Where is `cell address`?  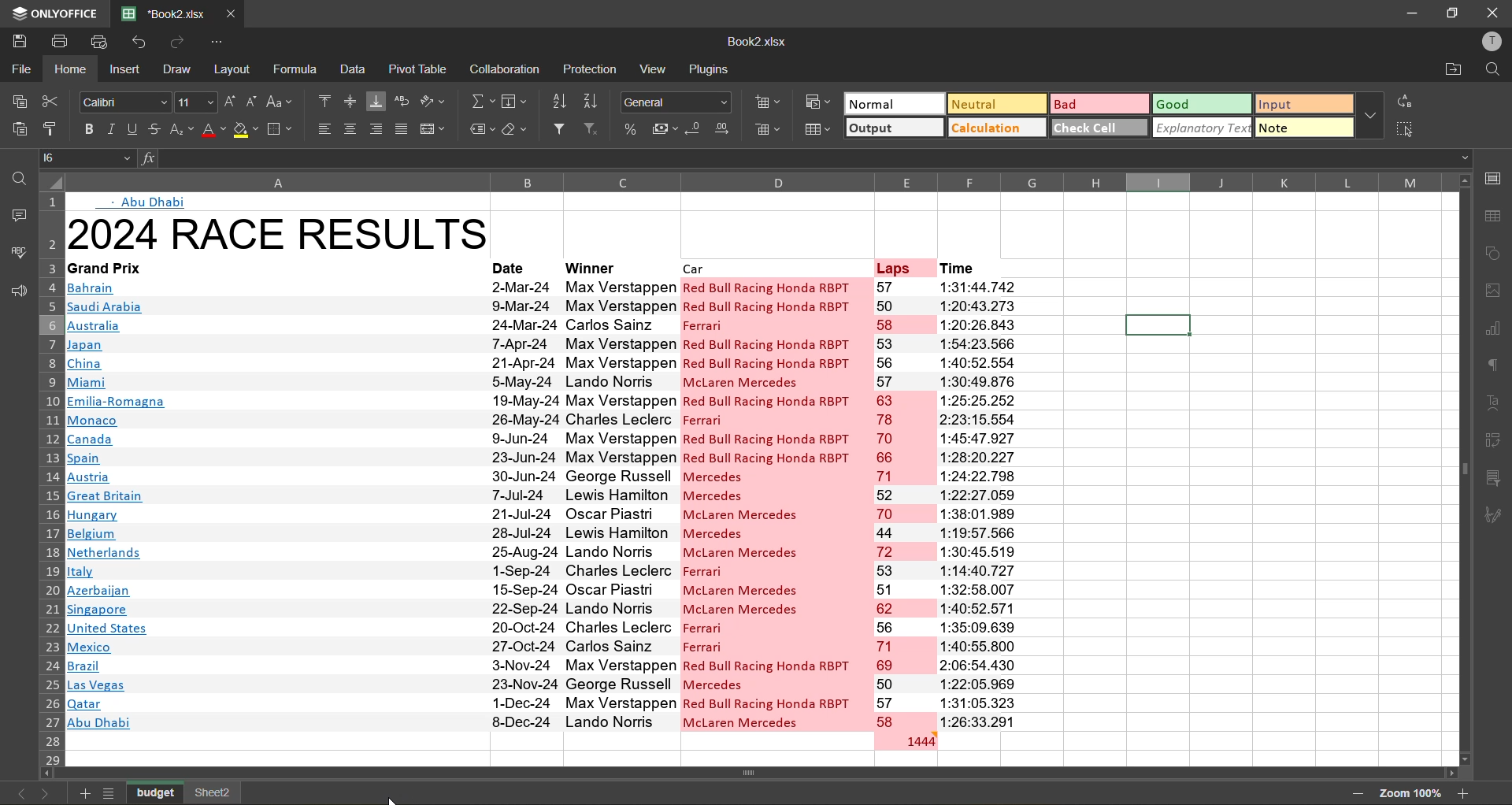
cell address is located at coordinates (87, 157).